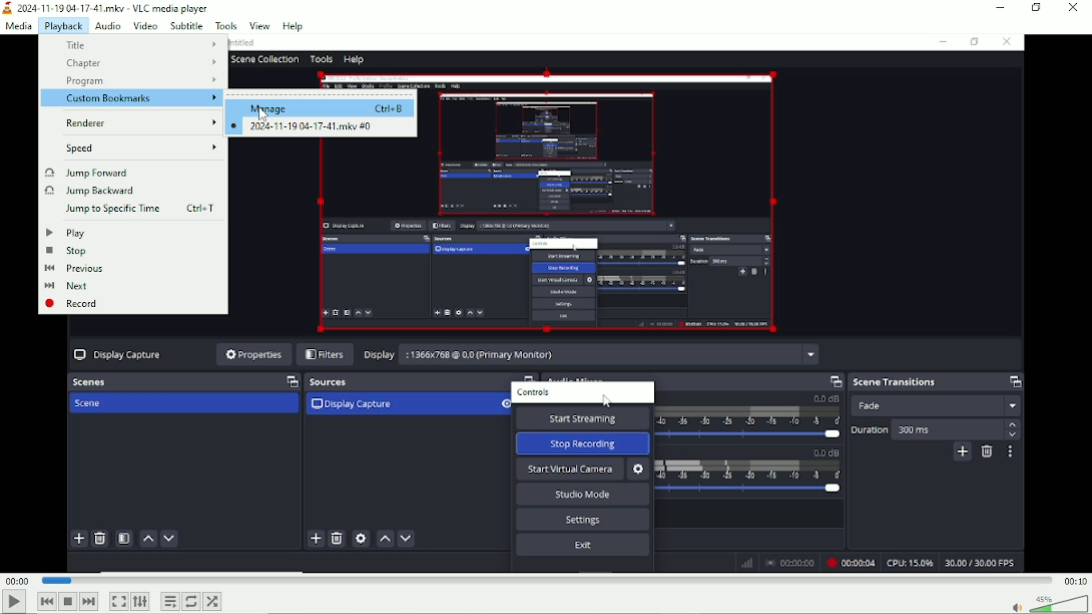 Image resolution: width=1092 pixels, height=614 pixels. I want to click on Chapter, so click(140, 63).